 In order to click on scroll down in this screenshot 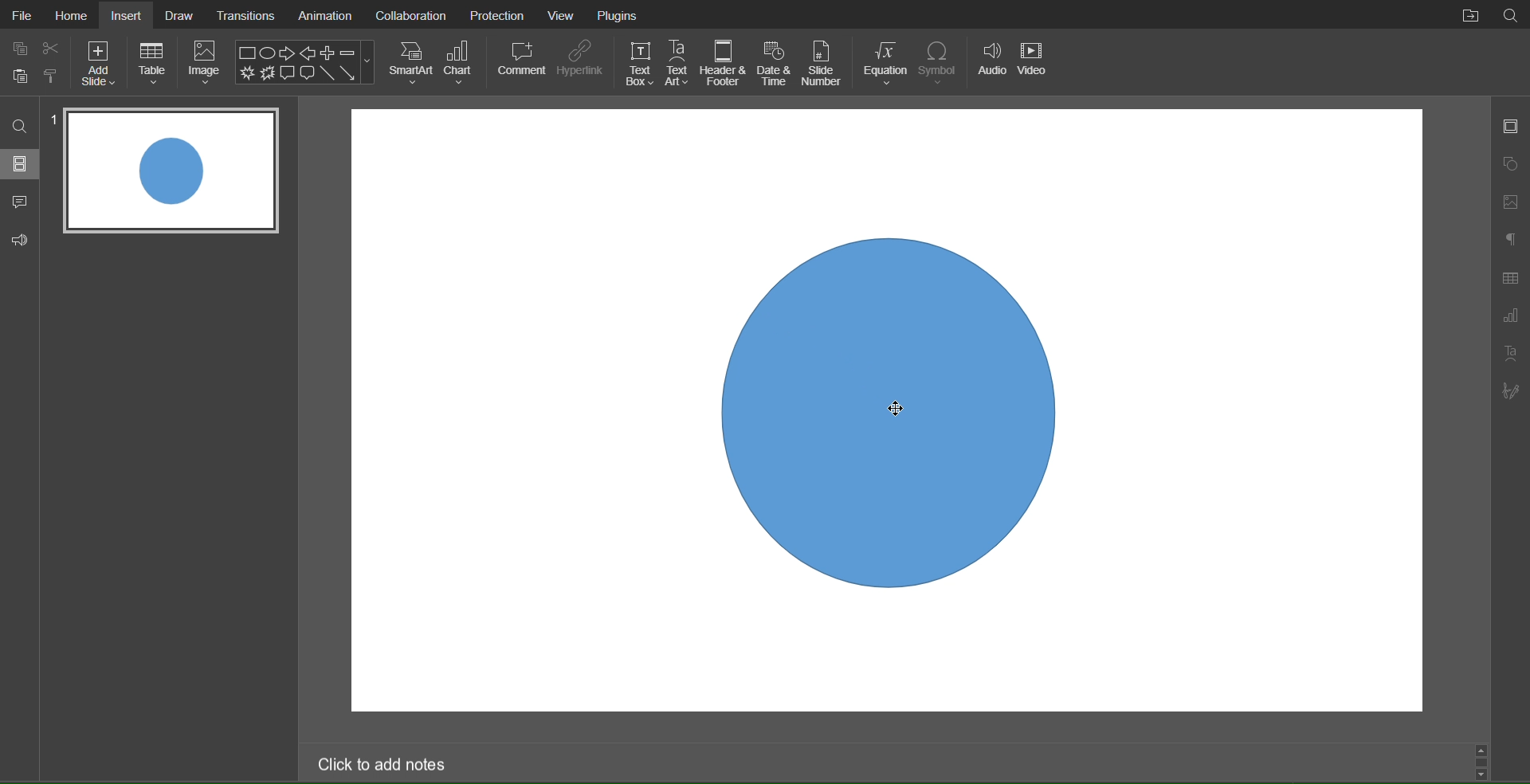, I will do `click(1486, 774)`.